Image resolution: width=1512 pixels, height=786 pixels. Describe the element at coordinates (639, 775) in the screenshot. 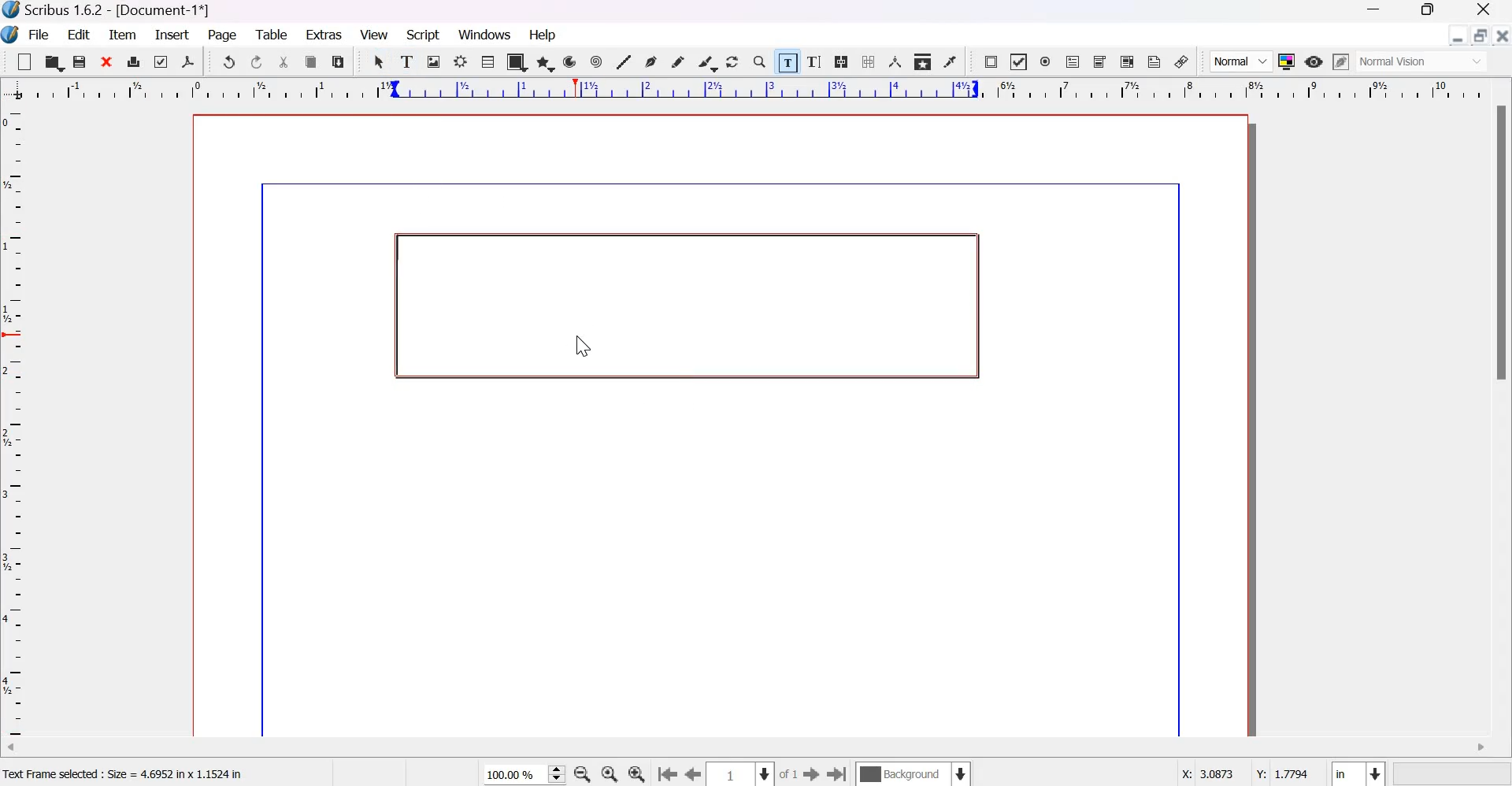

I see `` at that location.